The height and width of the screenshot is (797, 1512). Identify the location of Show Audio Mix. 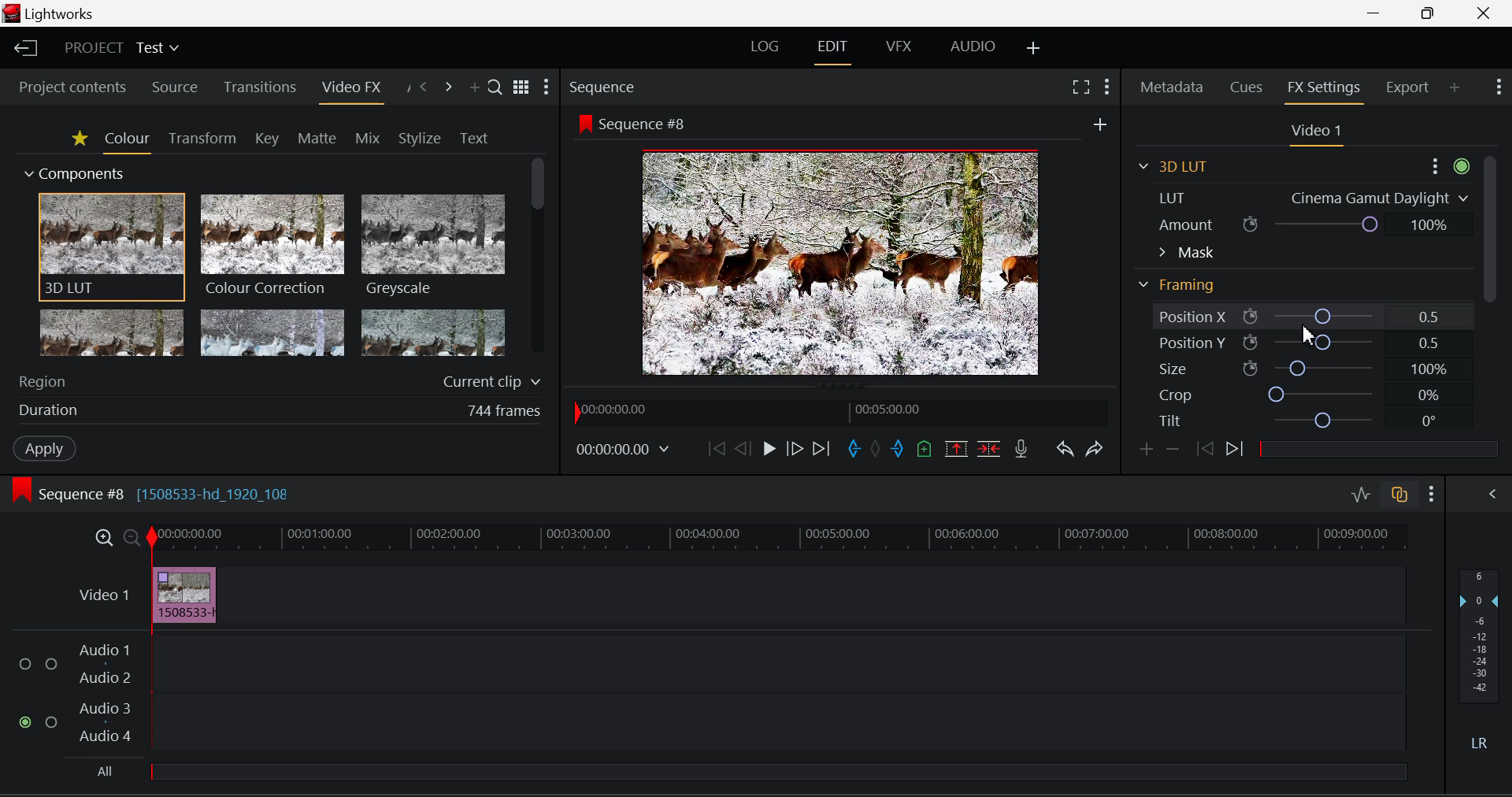
(1488, 492).